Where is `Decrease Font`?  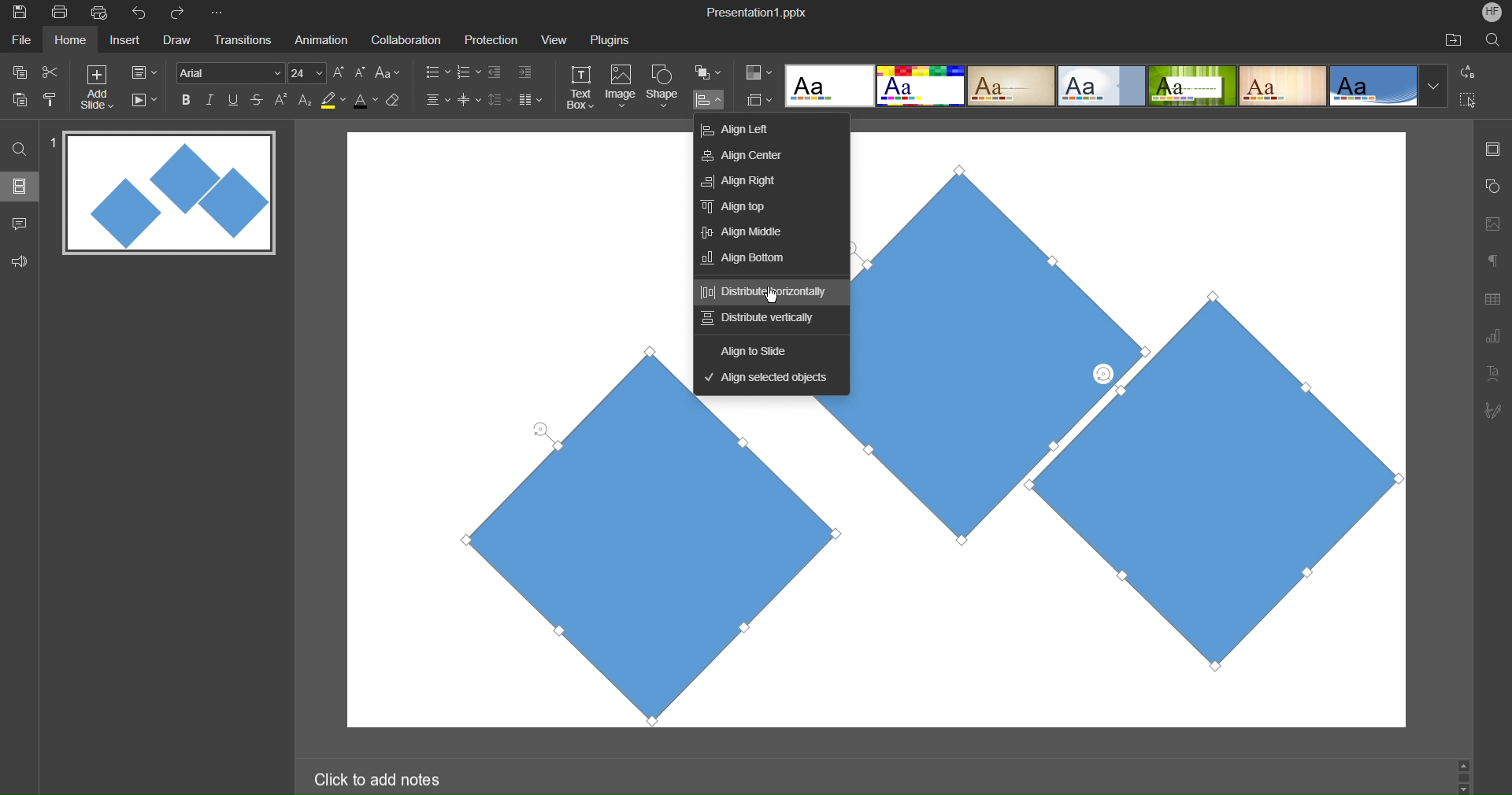 Decrease Font is located at coordinates (361, 72).